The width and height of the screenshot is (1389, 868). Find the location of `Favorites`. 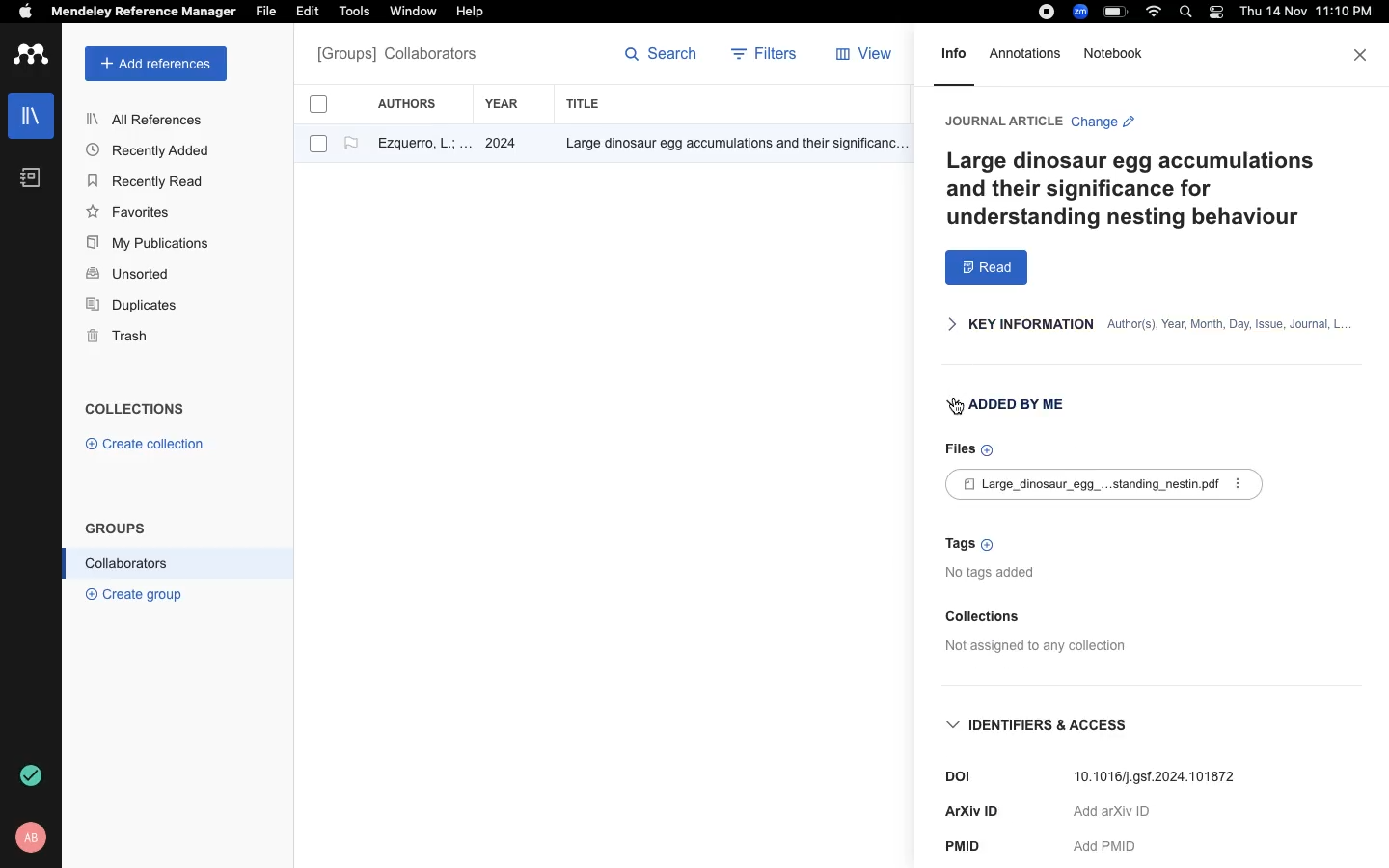

Favorites is located at coordinates (132, 211).